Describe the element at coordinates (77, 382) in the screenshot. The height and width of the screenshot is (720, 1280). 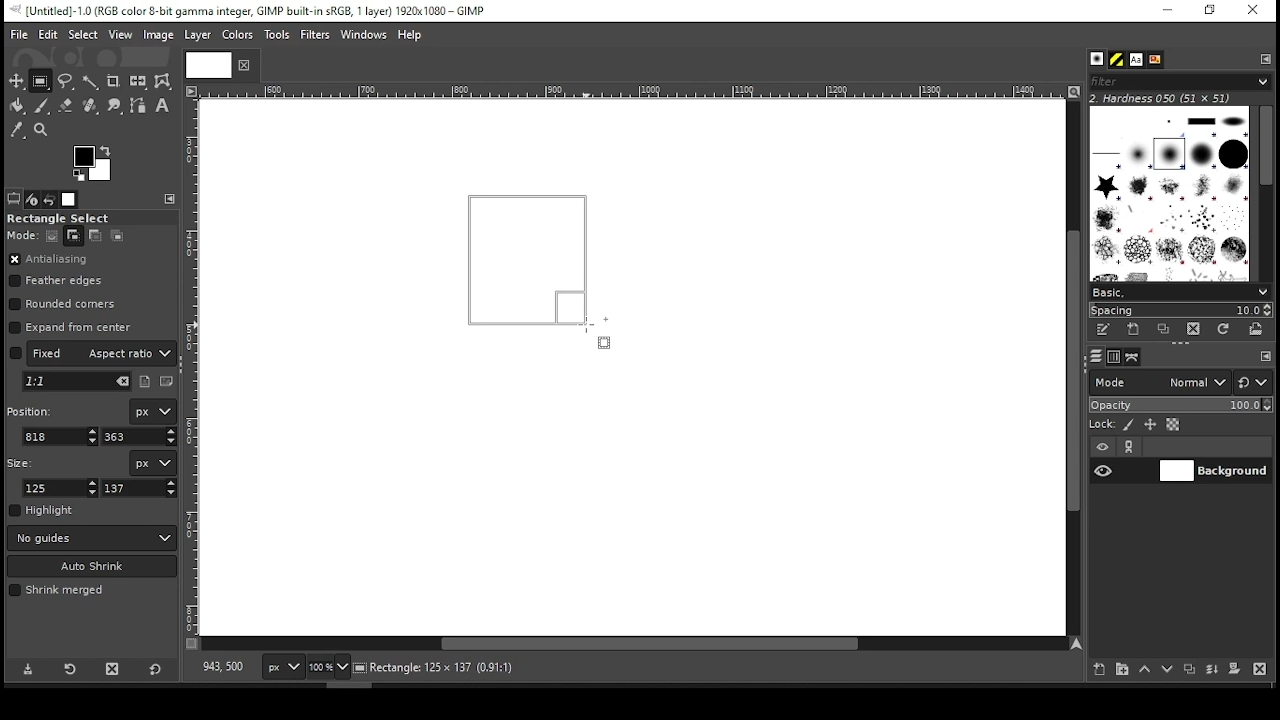
I see `pick aspect ration` at that location.